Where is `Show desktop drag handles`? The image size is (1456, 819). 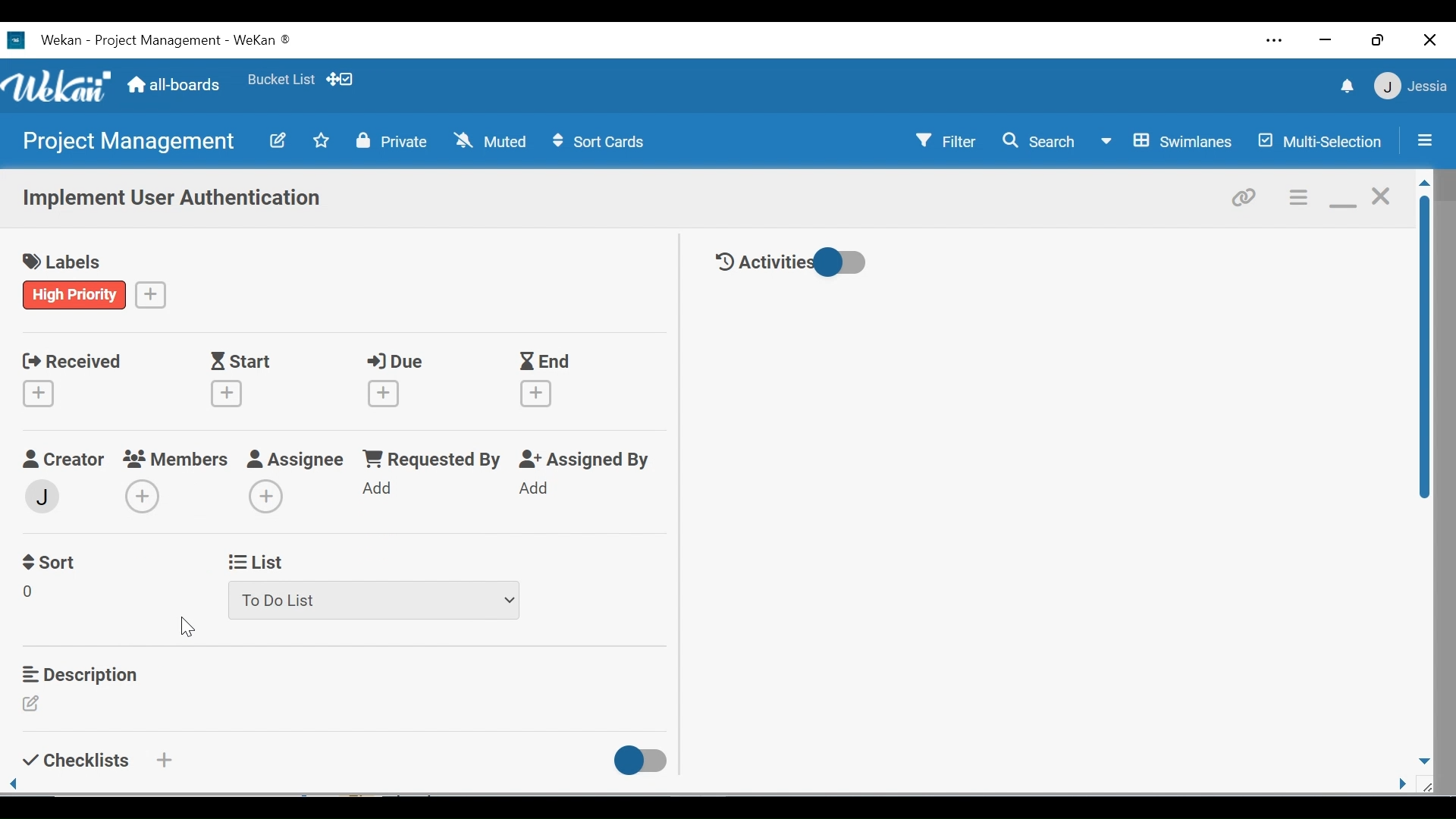
Show desktop drag handles is located at coordinates (344, 80).